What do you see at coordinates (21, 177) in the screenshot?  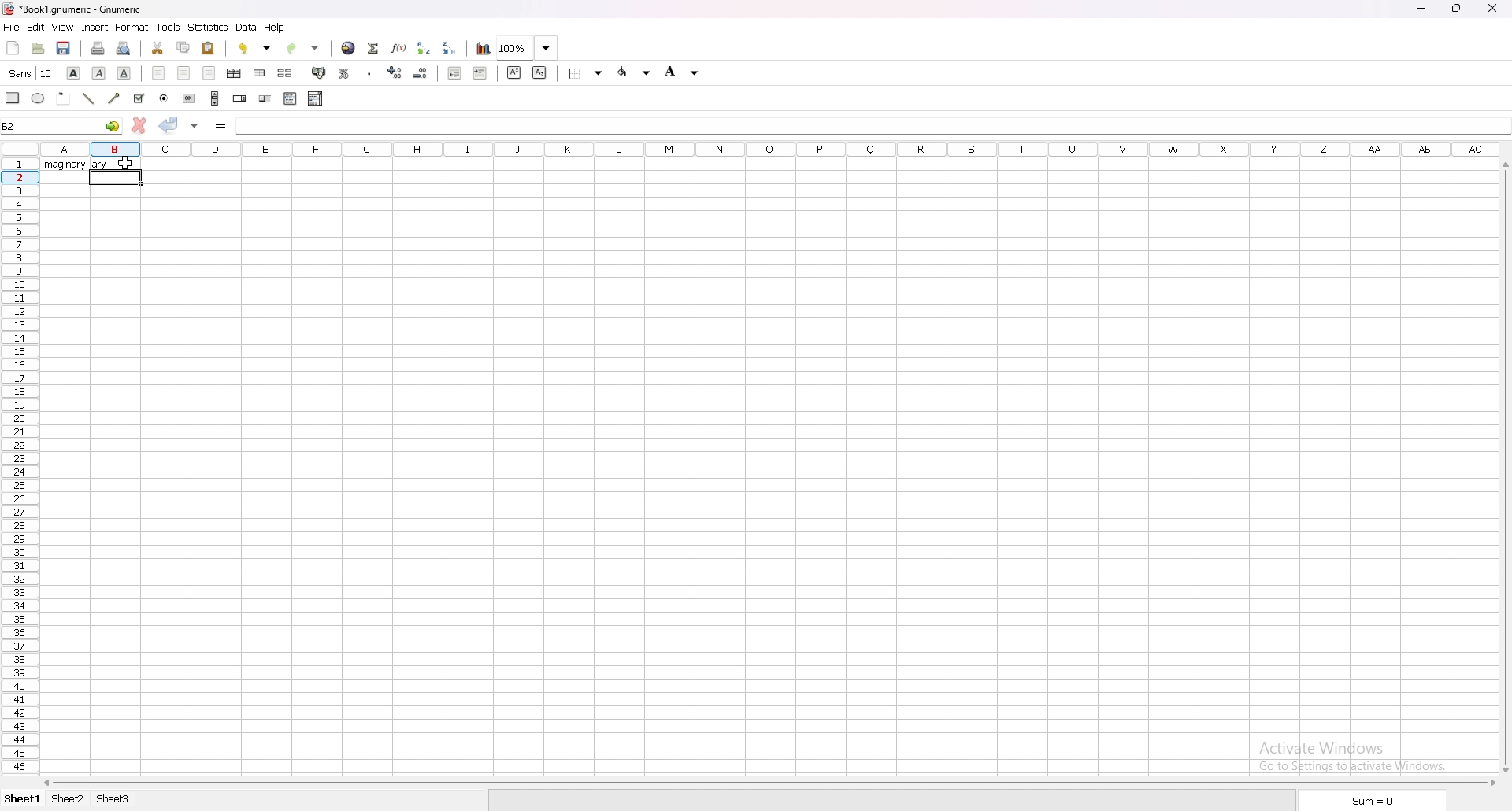 I see `selected cell row` at bounding box center [21, 177].